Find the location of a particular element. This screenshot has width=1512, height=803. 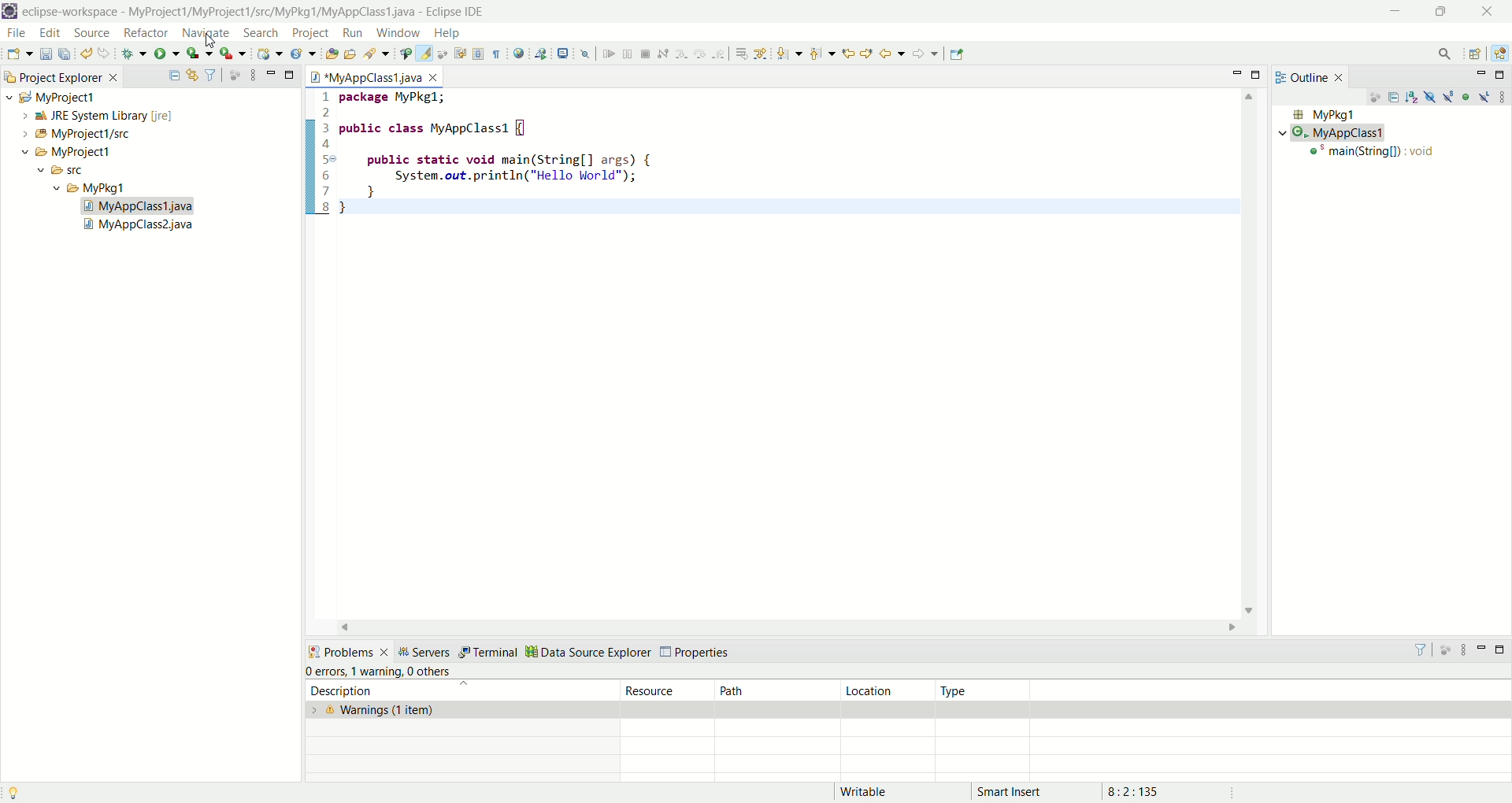

coverage is located at coordinates (200, 54).